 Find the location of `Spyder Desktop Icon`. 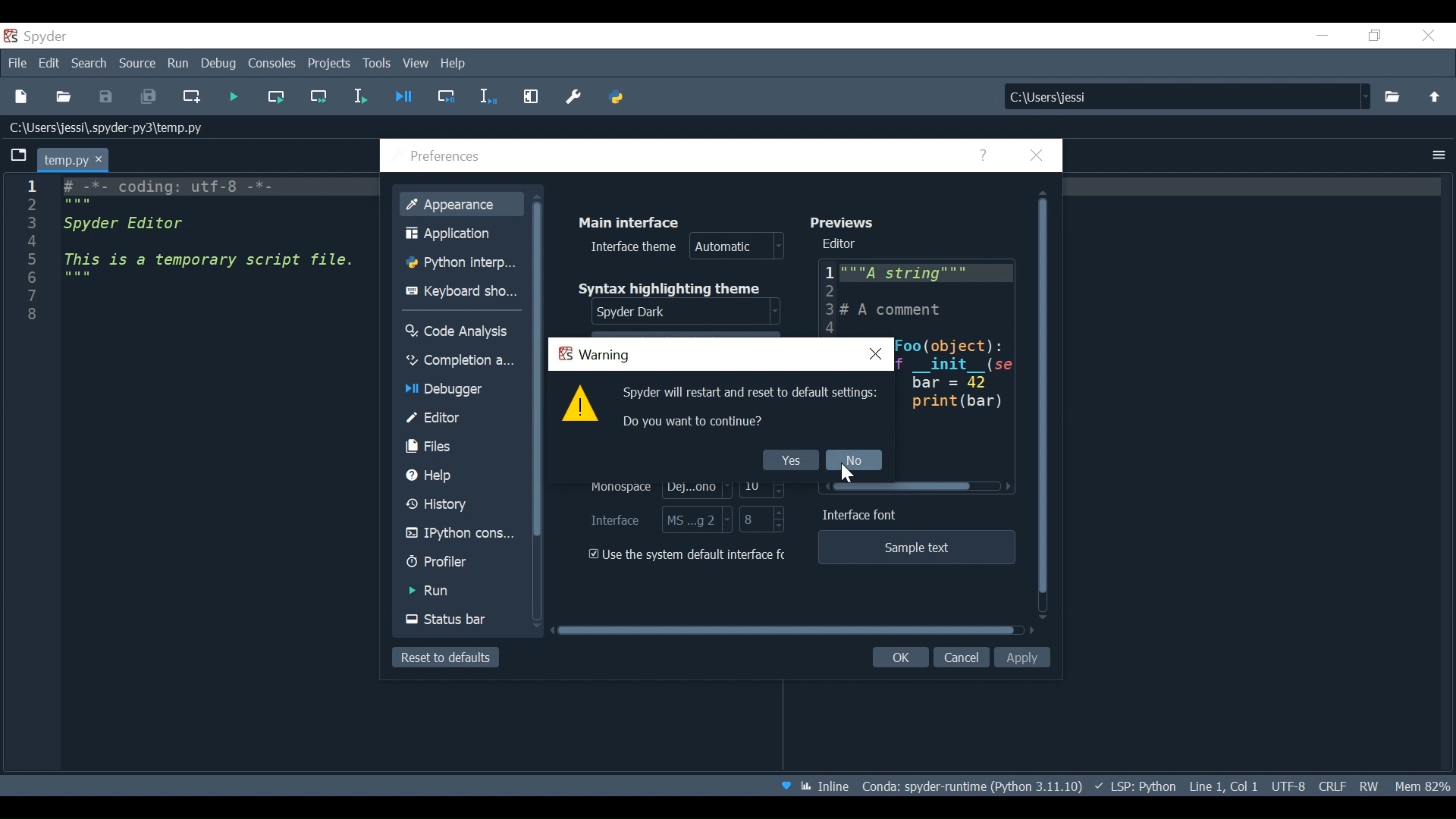

Spyder Desktop Icon is located at coordinates (36, 37).